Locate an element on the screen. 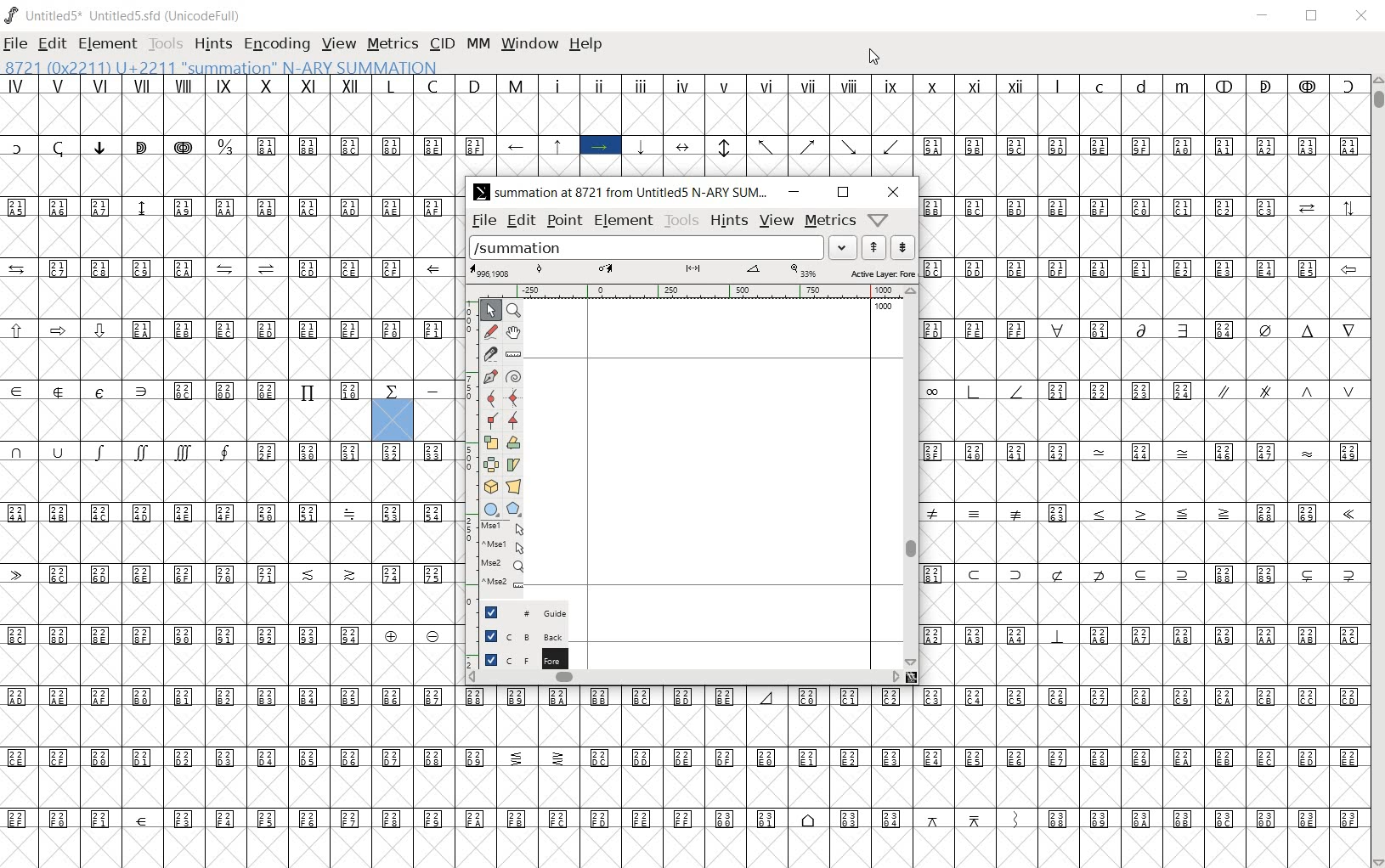  minimize is located at coordinates (794, 193).